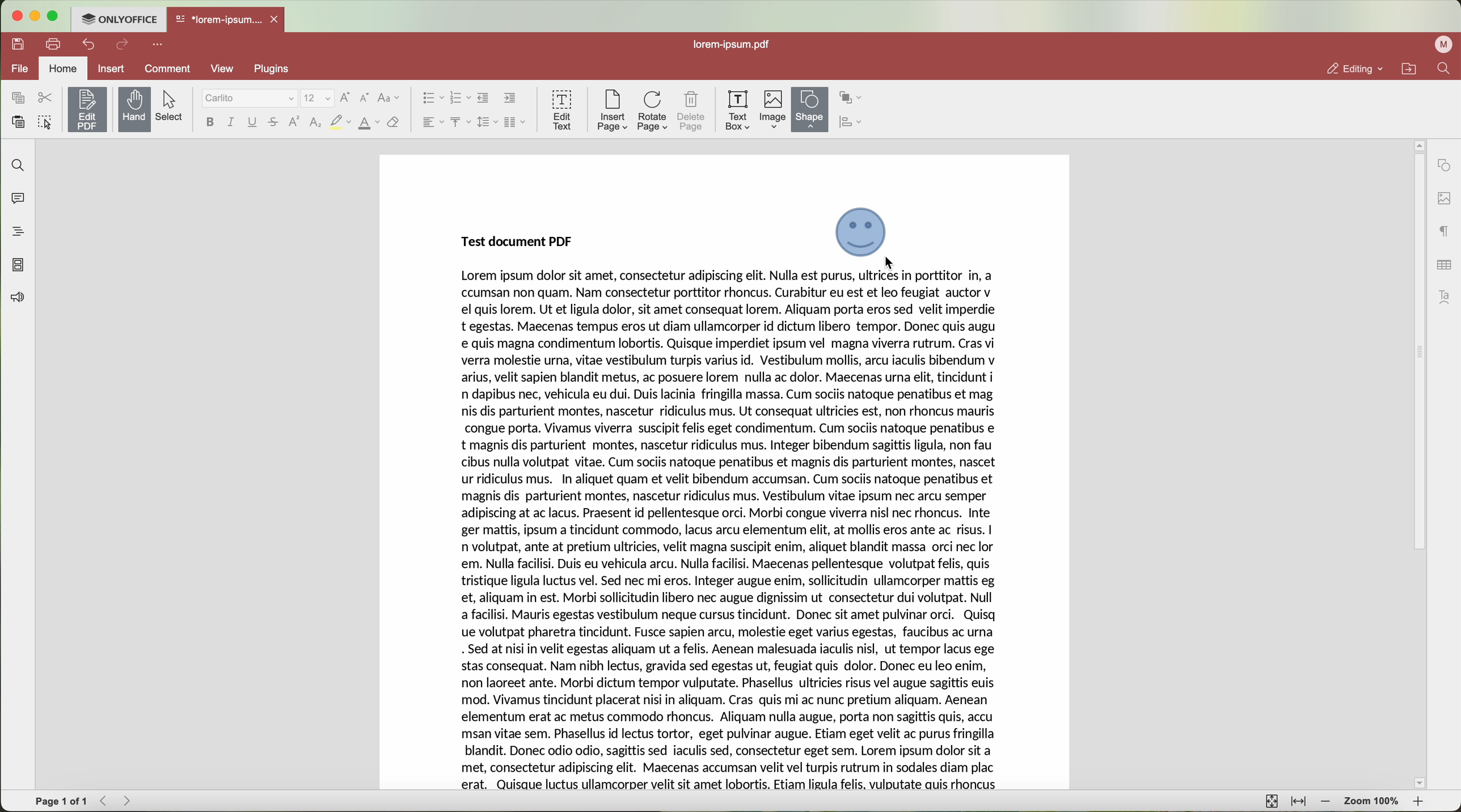 Image resolution: width=1461 pixels, height=812 pixels. I want to click on lorem-ipsum.pdf, so click(737, 45).